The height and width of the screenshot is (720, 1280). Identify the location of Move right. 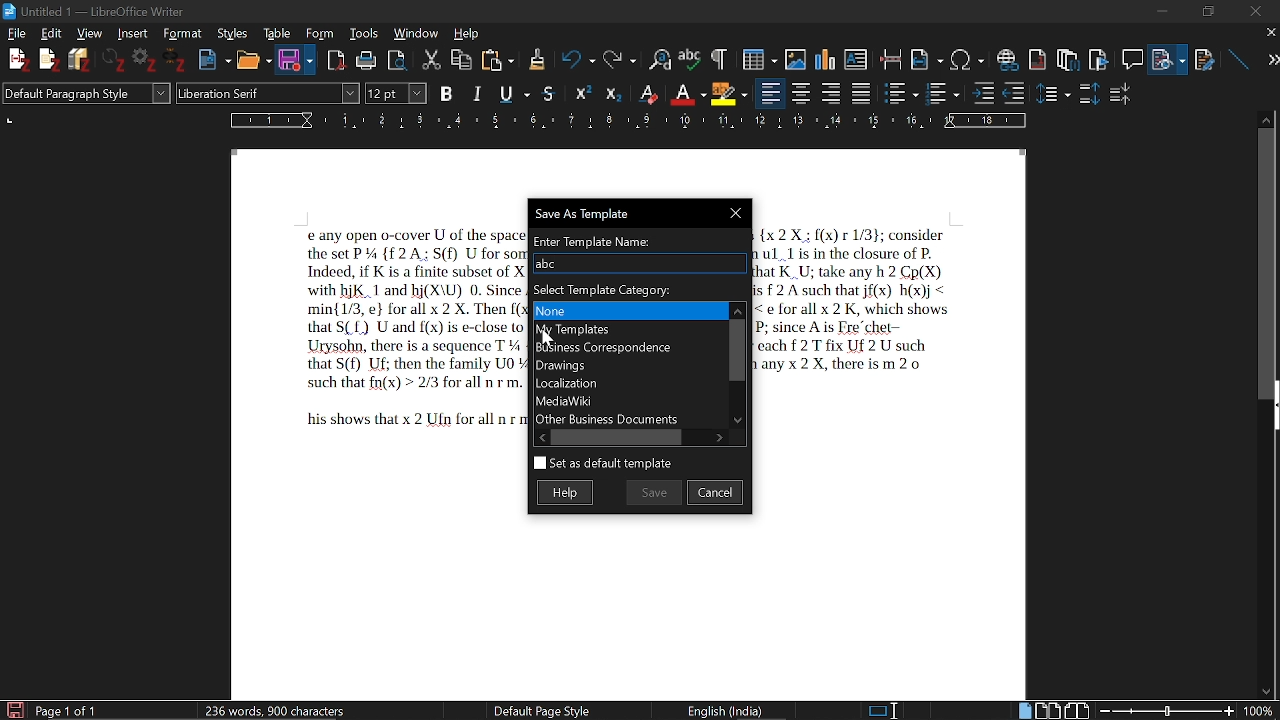
(721, 436).